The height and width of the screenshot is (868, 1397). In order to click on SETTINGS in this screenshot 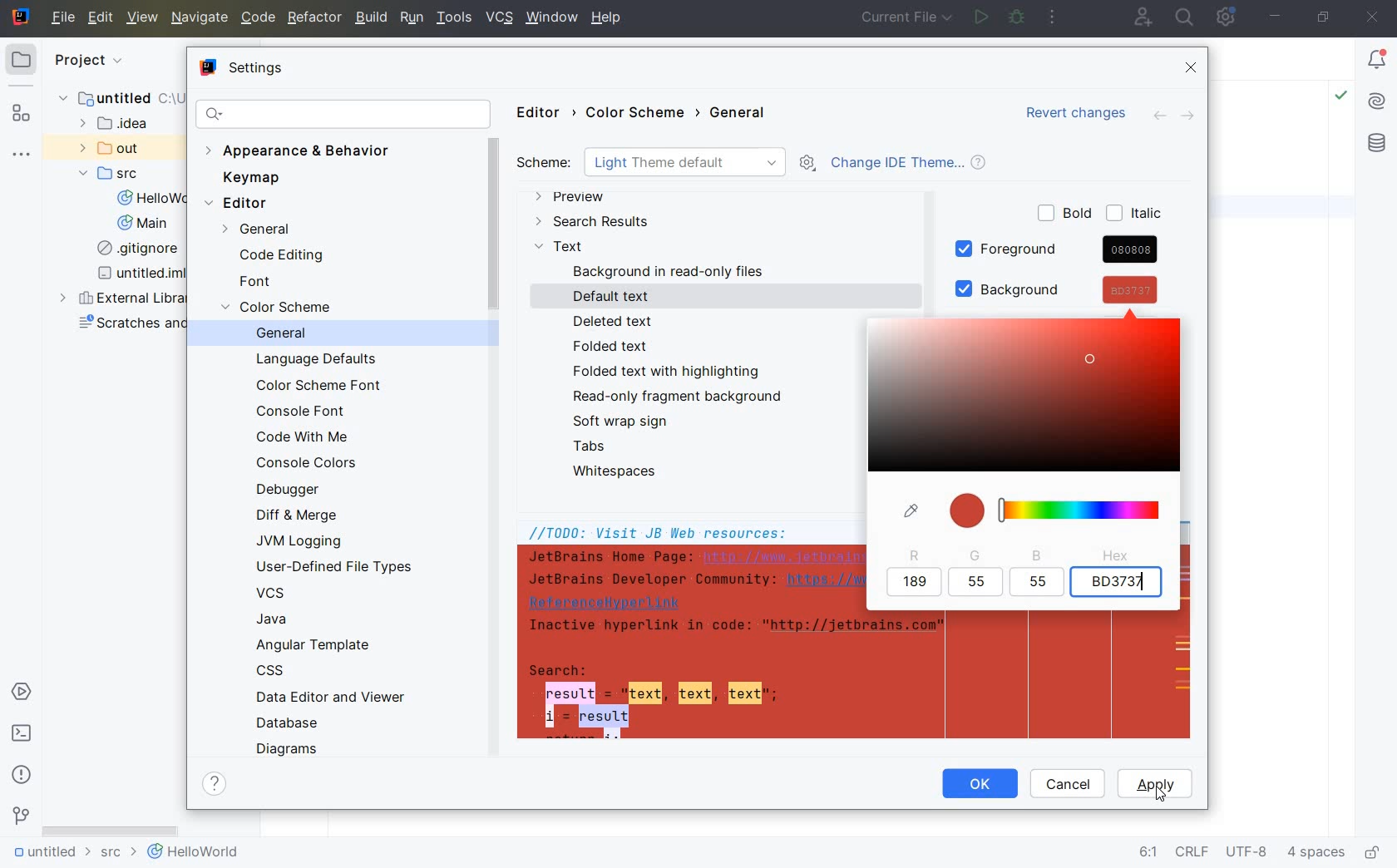, I will do `click(244, 70)`.